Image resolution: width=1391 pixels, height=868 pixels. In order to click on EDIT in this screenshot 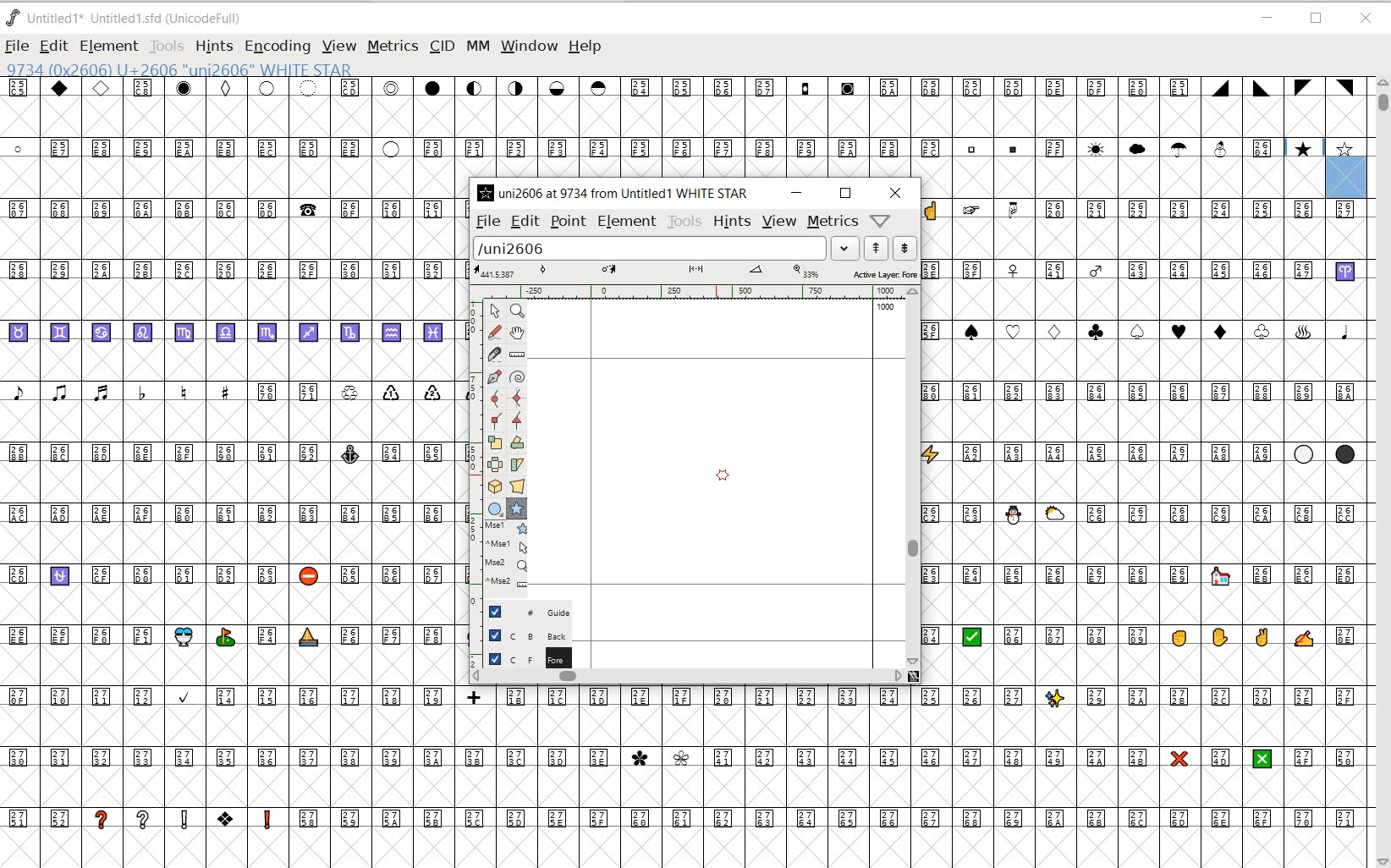, I will do `click(523, 222)`.